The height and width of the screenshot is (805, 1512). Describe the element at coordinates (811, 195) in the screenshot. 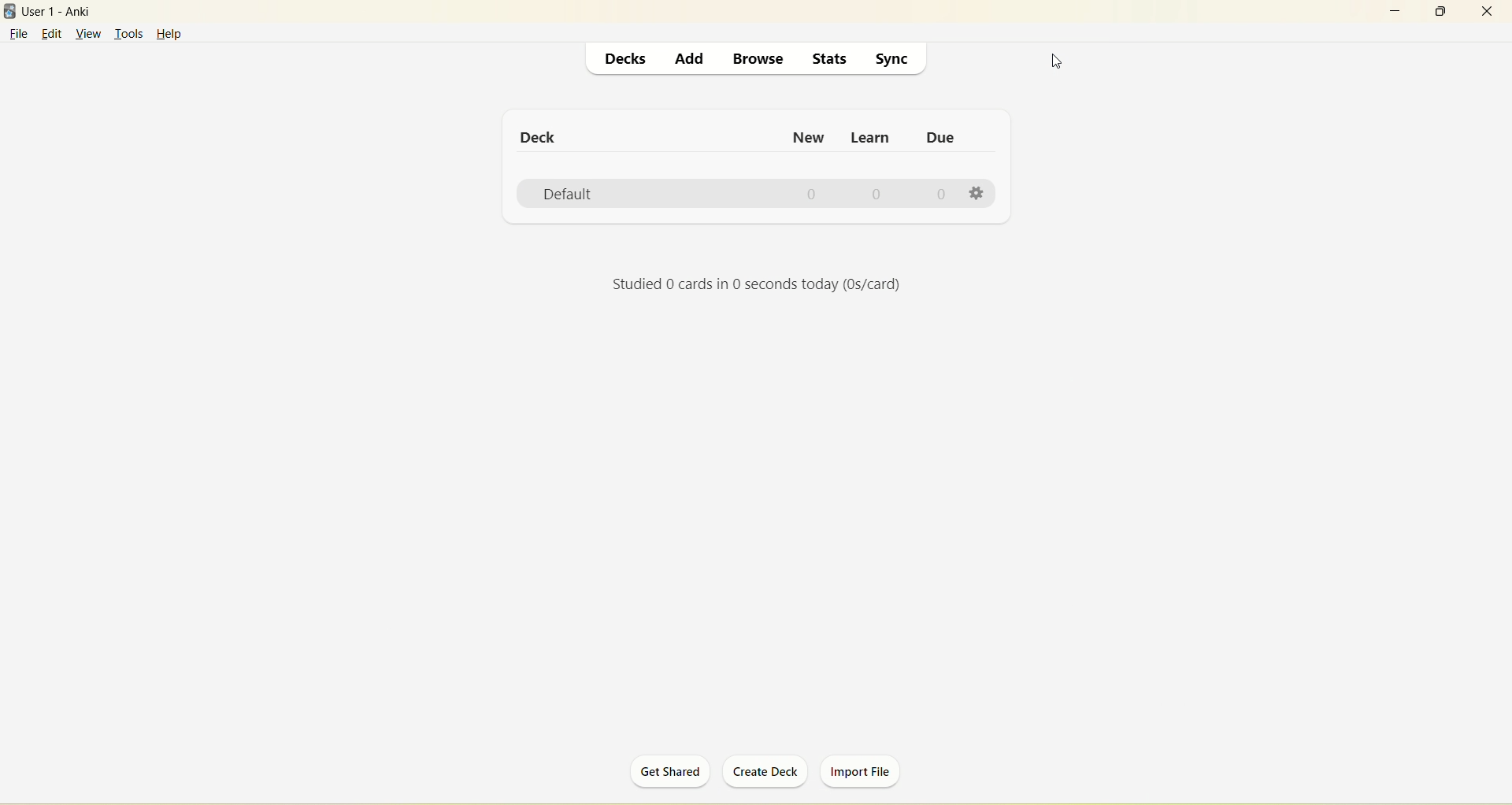

I see `0` at that location.